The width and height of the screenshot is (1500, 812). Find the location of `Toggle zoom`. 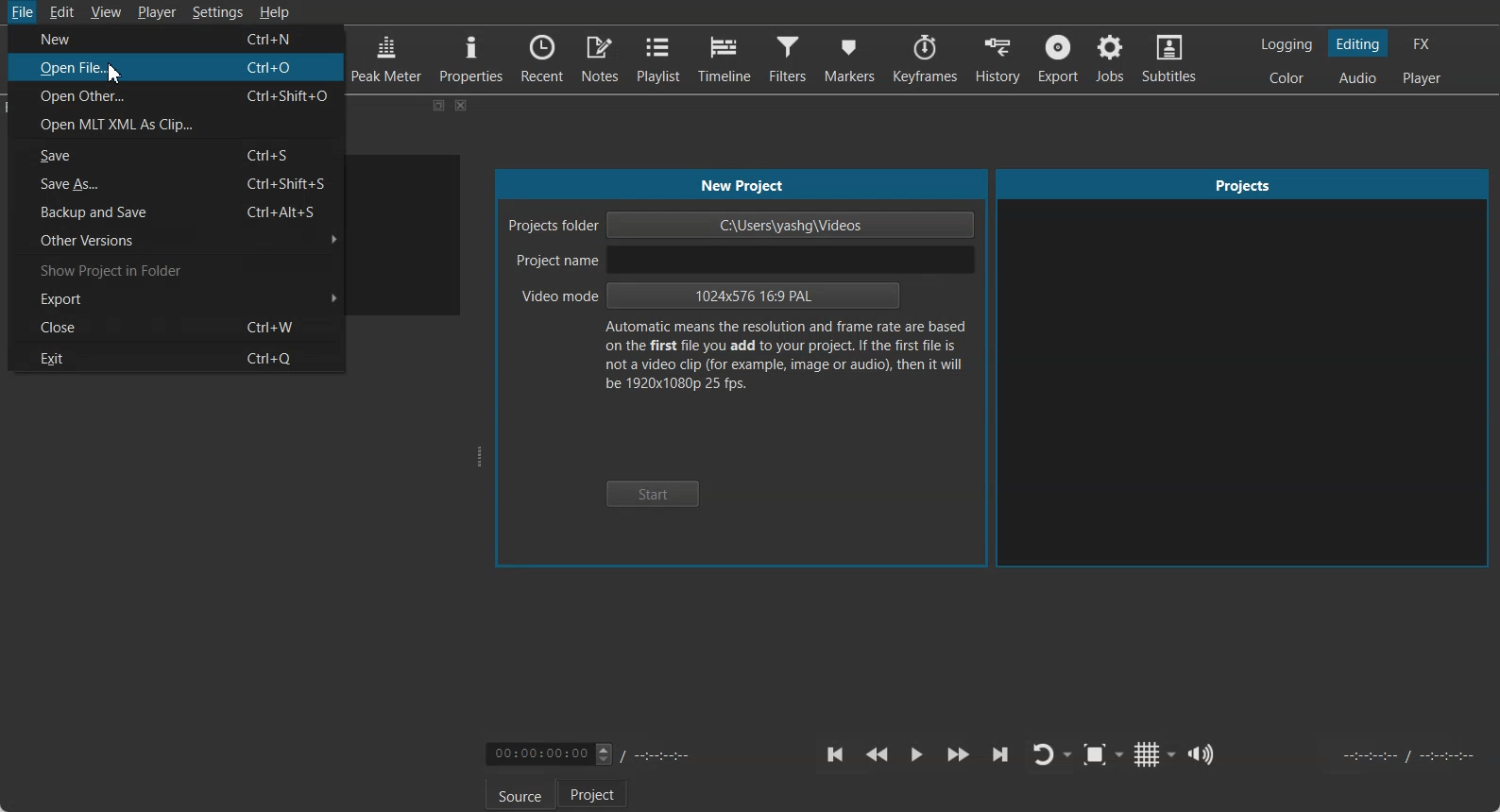

Toggle zoom is located at coordinates (1103, 754).